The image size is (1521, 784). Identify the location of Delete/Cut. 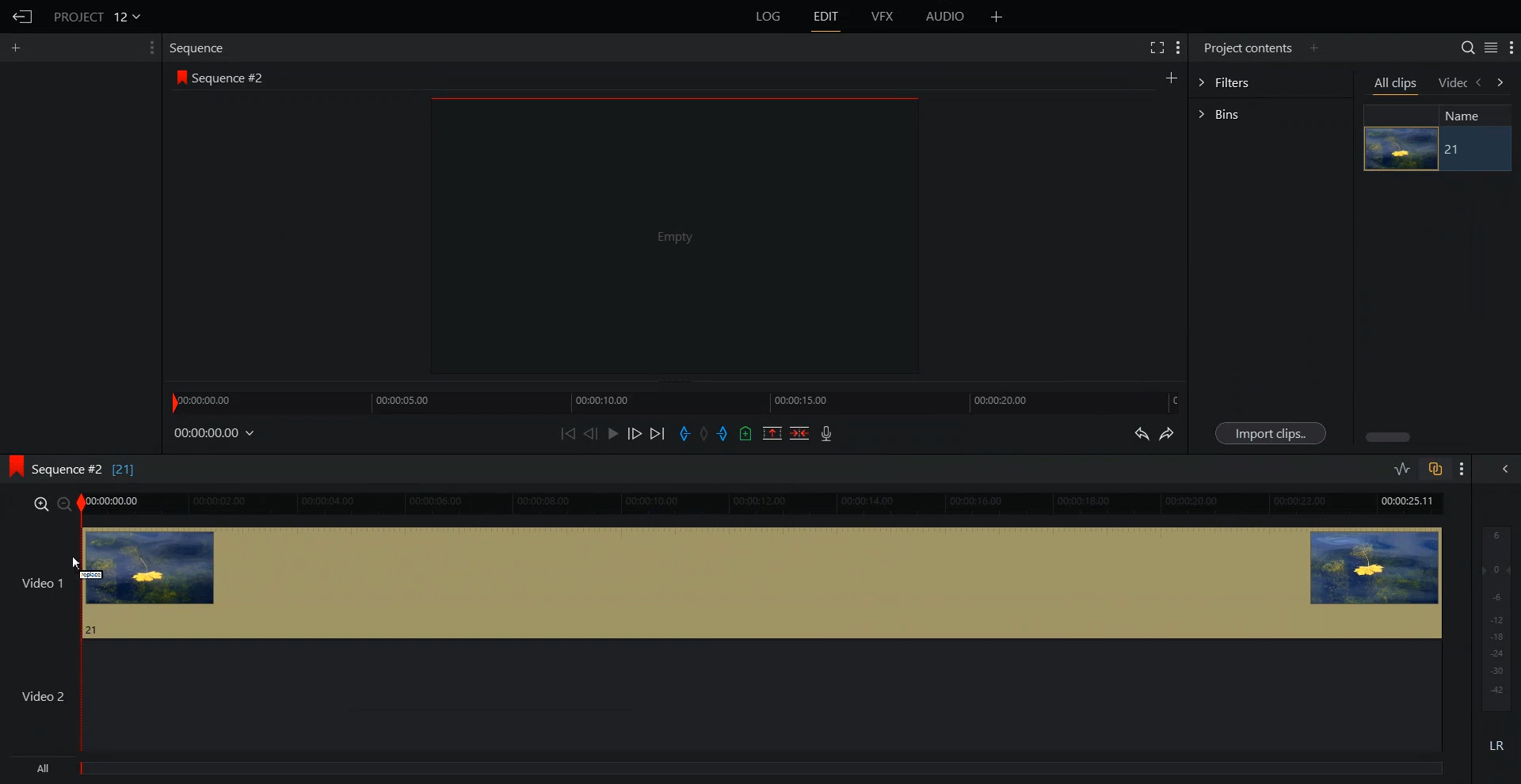
(800, 433).